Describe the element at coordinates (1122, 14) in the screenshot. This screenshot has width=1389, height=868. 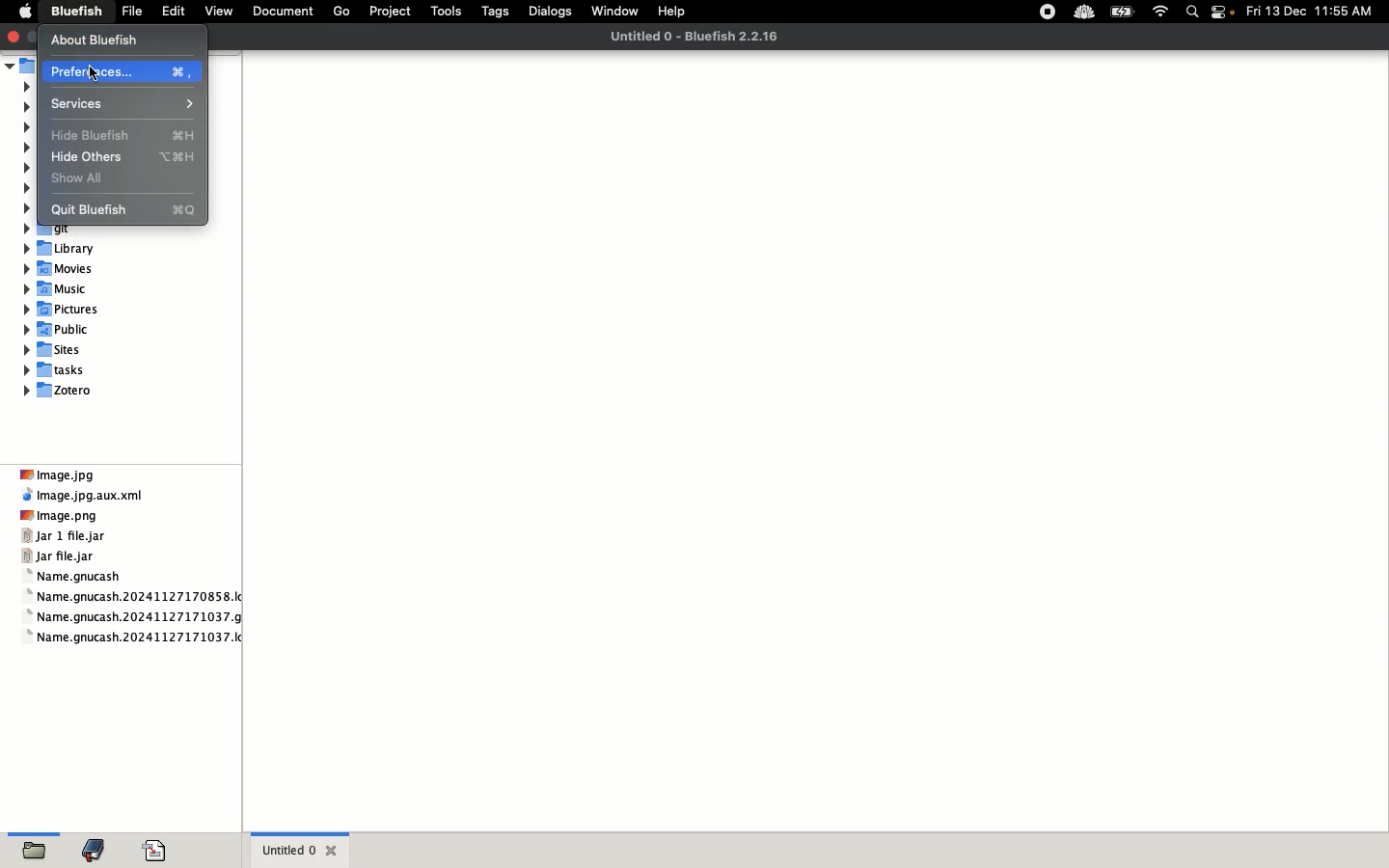
I see `Charge` at that location.